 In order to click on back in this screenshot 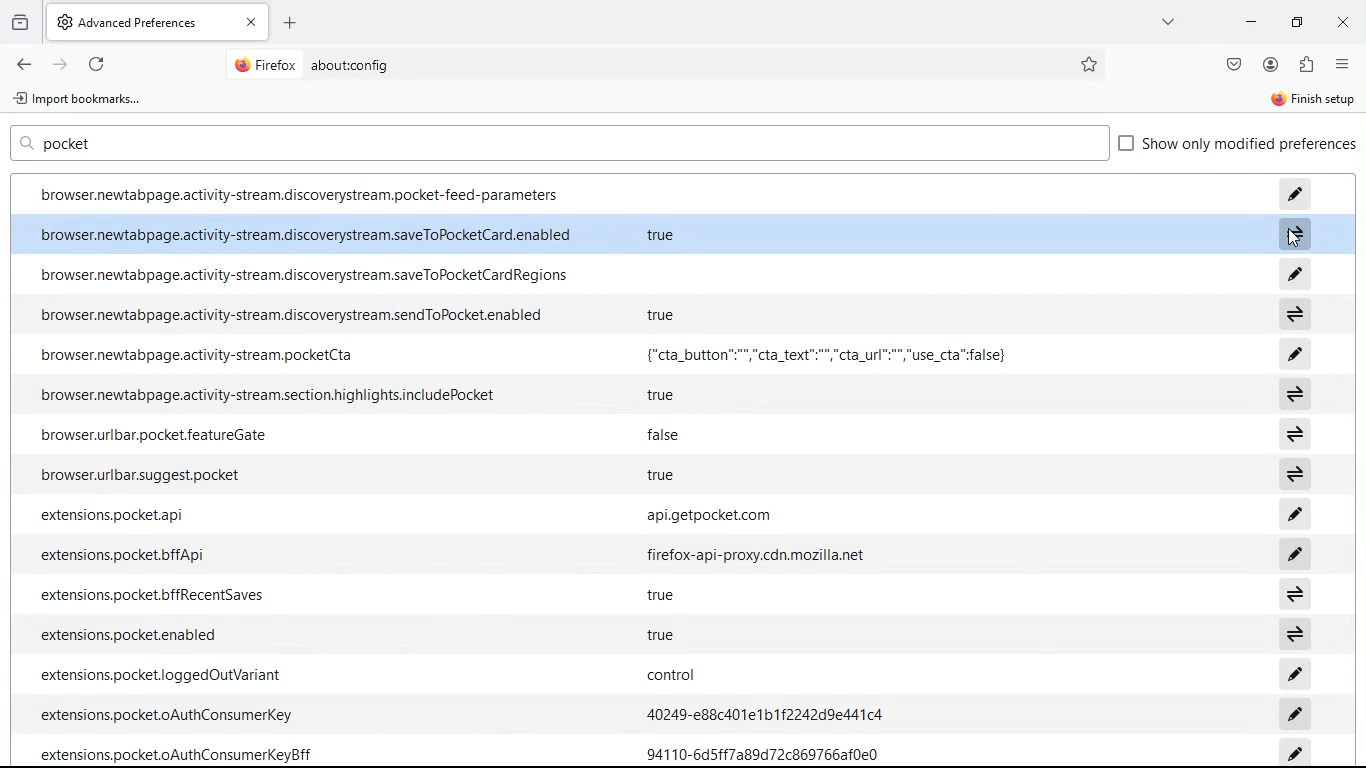, I will do `click(23, 64)`.